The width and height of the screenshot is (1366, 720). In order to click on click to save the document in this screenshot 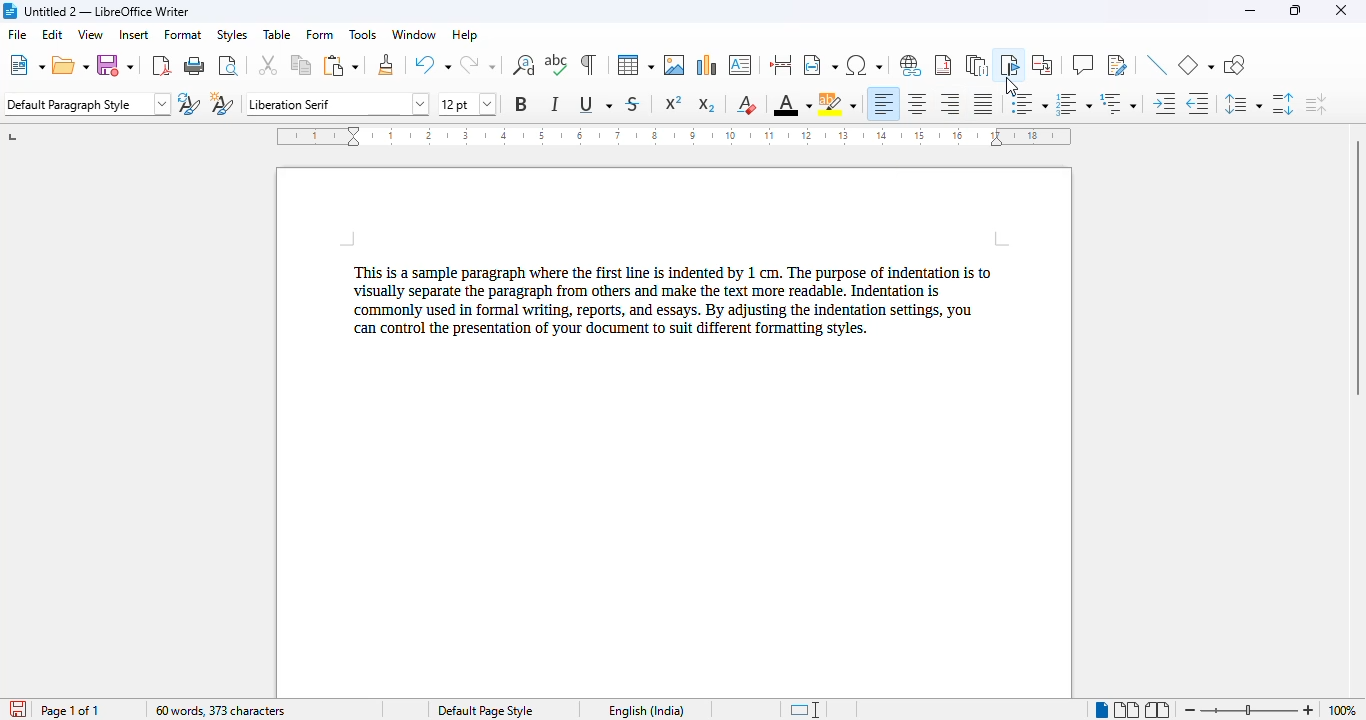, I will do `click(18, 709)`.